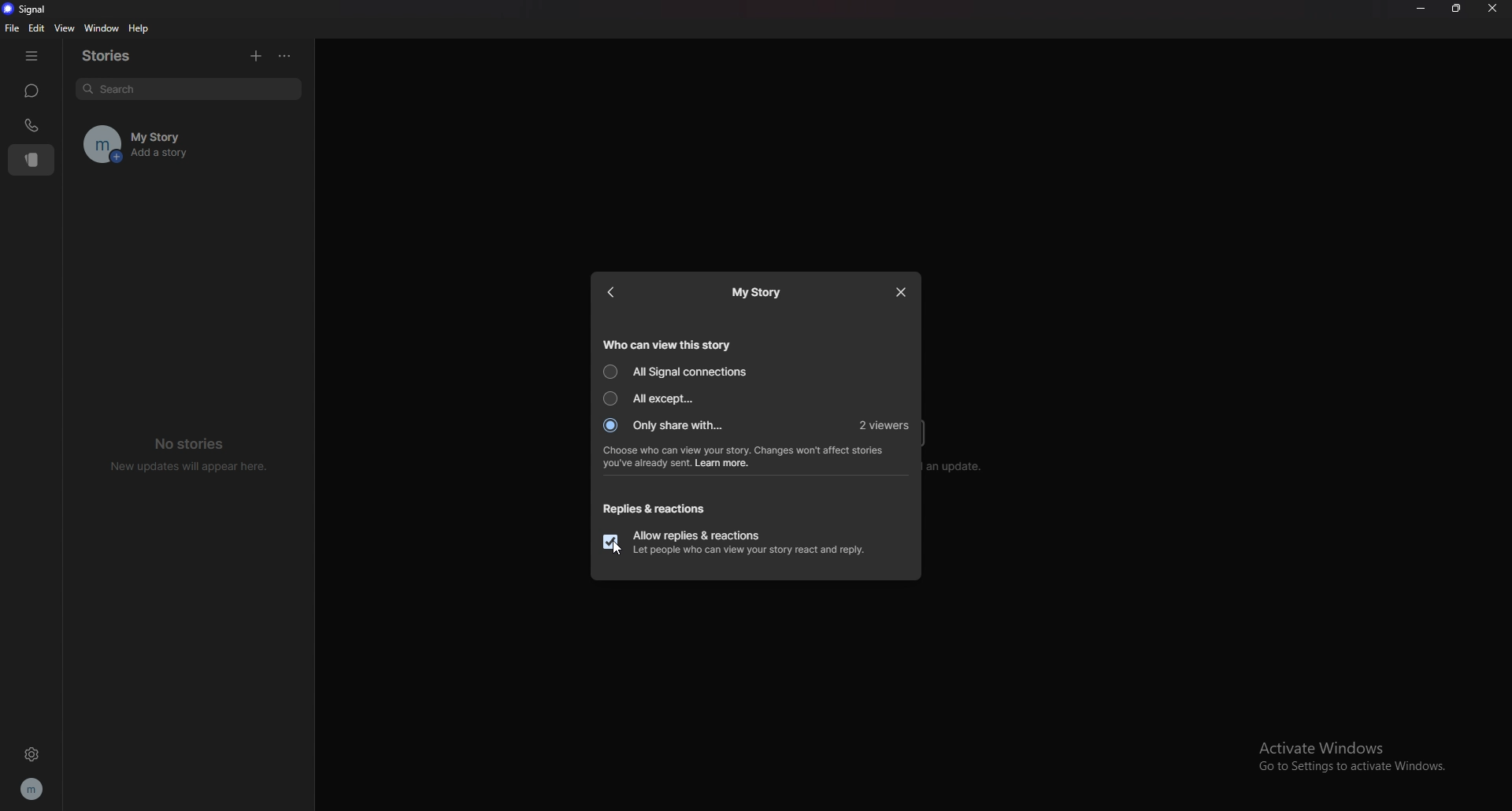 The width and height of the screenshot is (1512, 811). I want to click on only share with, so click(666, 426).